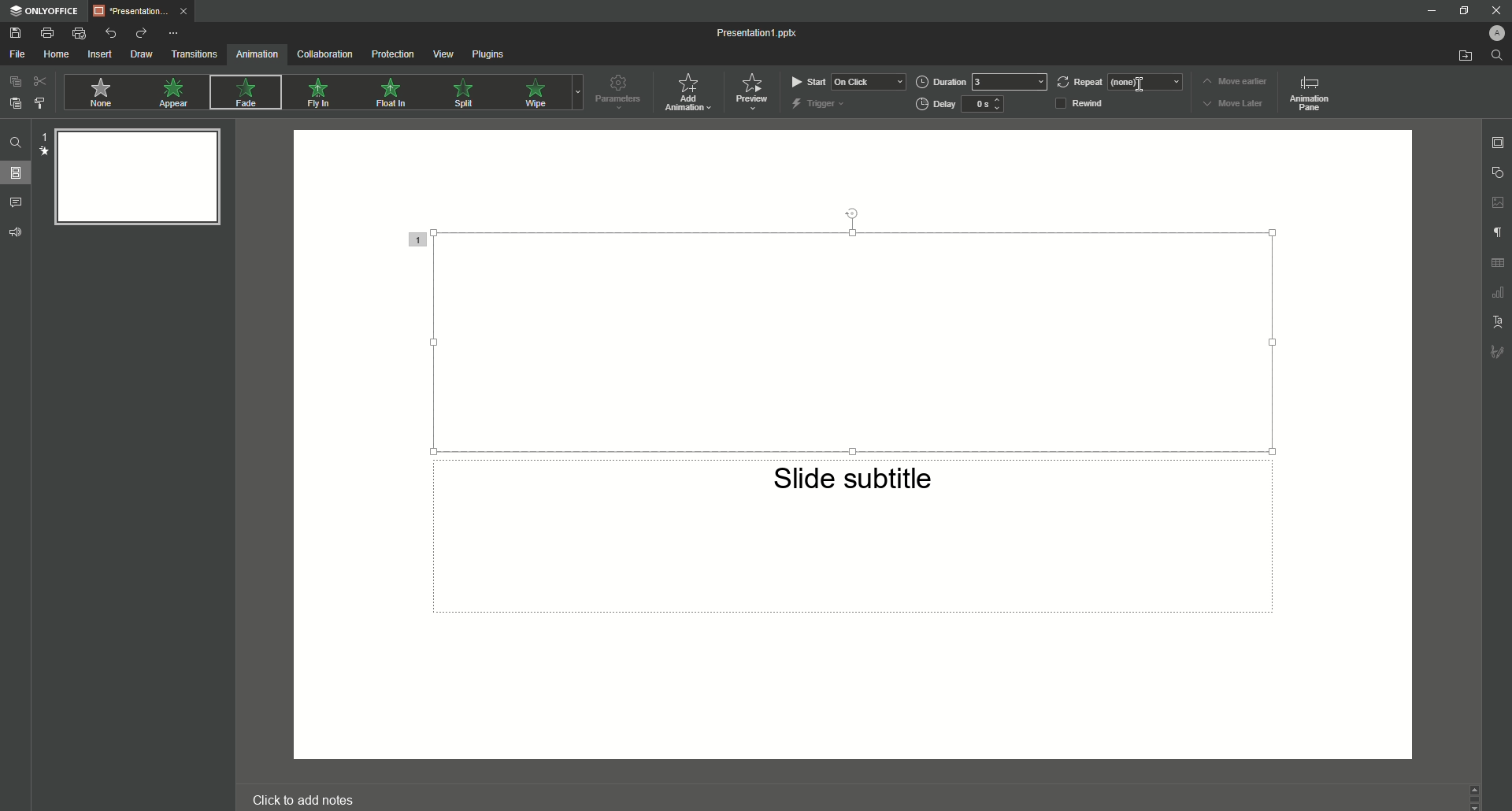 The image size is (1512, 811). What do you see at coordinates (14, 83) in the screenshot?
I see `Copy` at bounding box center [14, 83].